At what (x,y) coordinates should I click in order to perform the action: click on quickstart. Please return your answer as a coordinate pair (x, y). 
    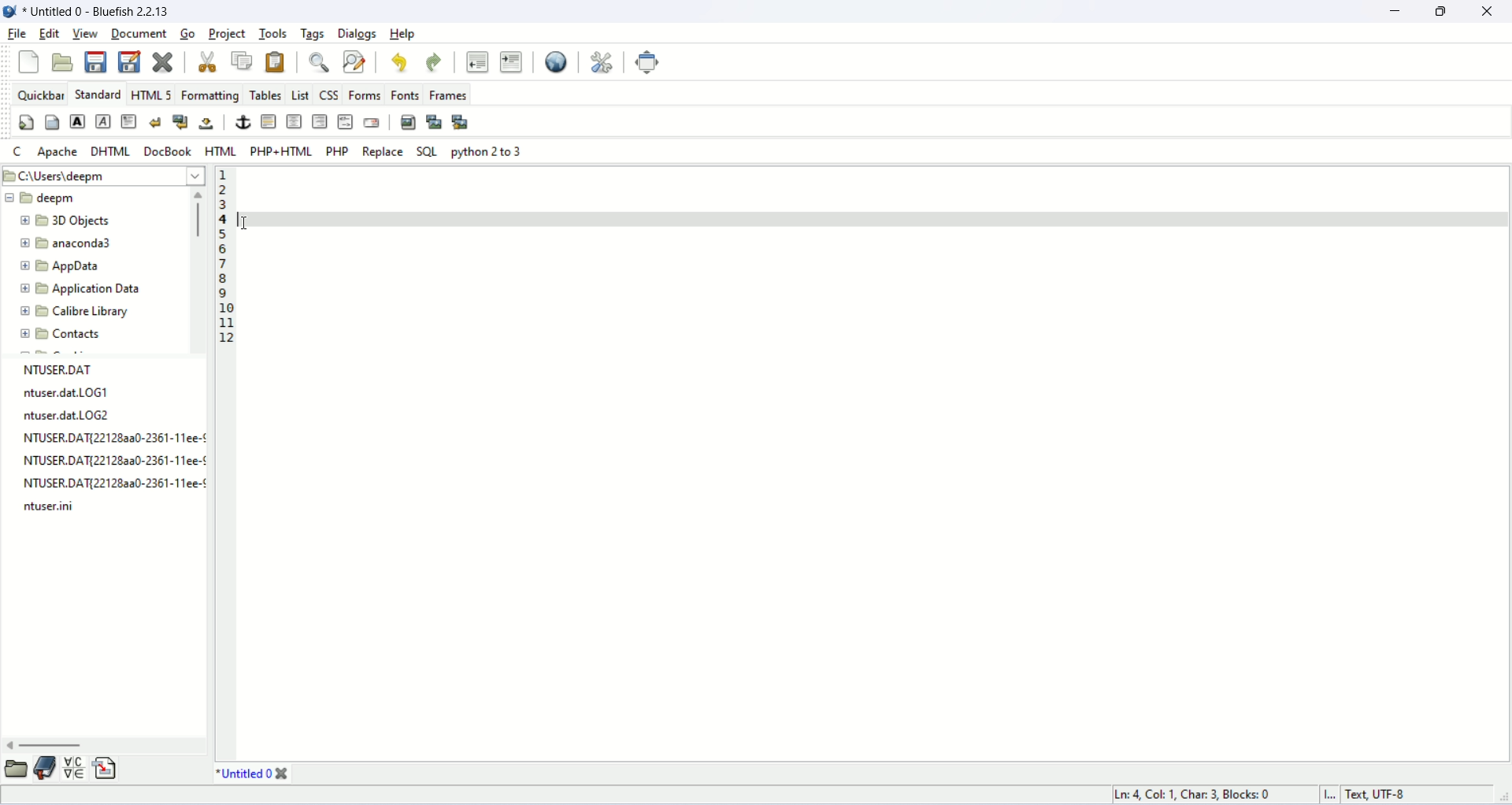
    Looking at the image, I should click on (24, 124).